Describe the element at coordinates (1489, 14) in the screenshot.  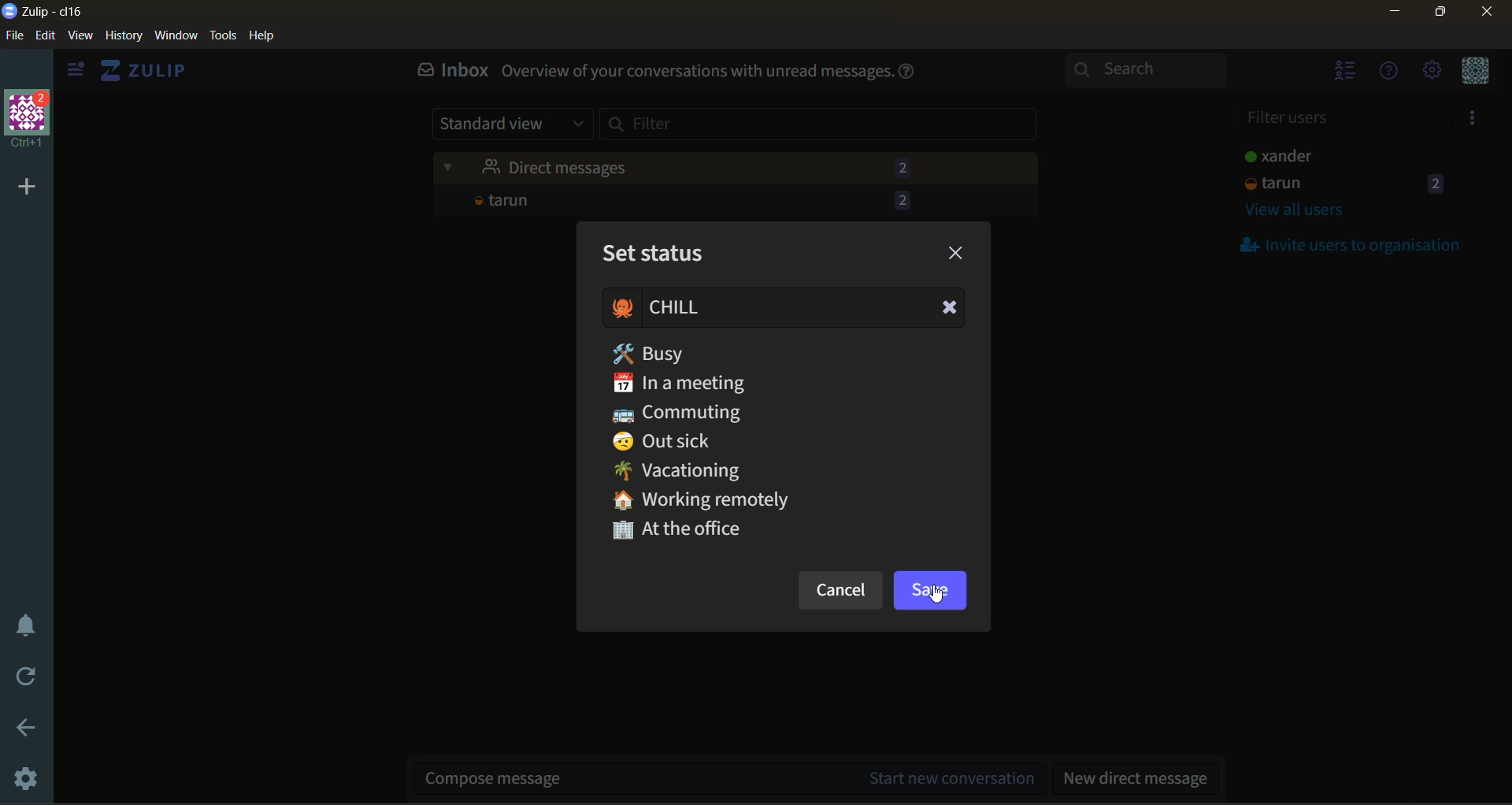
I see `close` at that location.